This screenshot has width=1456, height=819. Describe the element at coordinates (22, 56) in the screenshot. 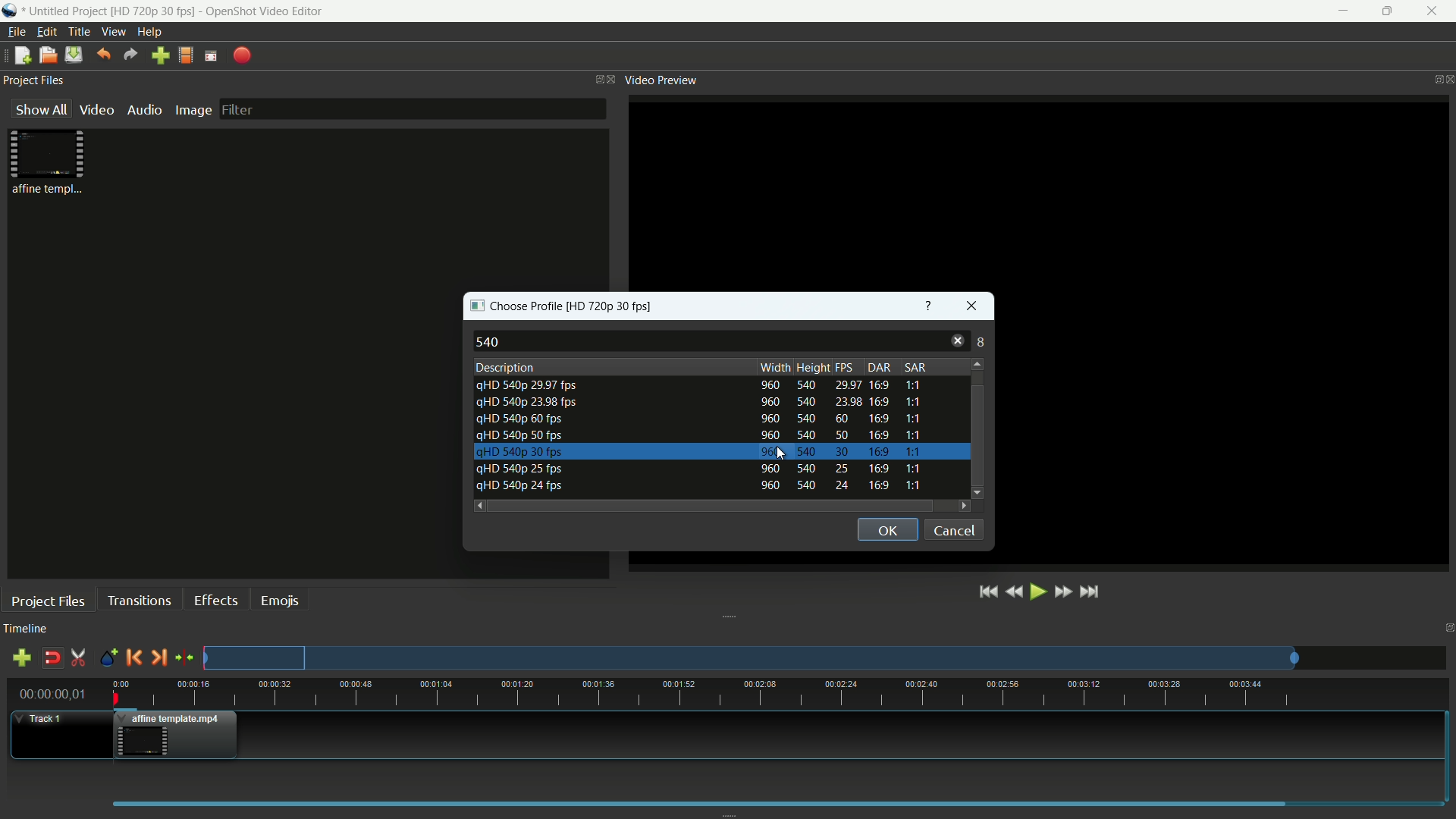

I see `new file` at that location.